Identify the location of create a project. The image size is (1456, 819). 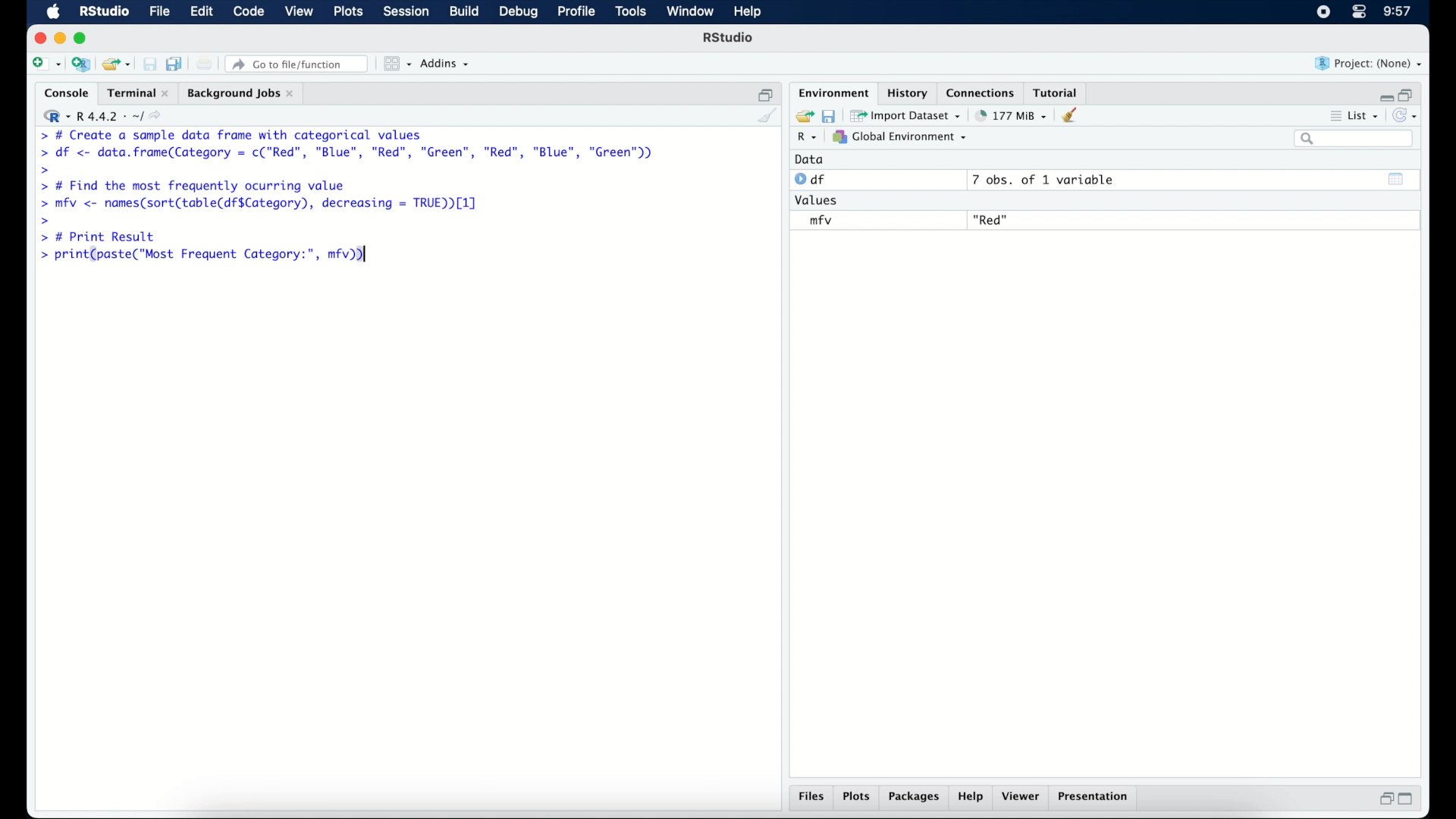
(82, 64).